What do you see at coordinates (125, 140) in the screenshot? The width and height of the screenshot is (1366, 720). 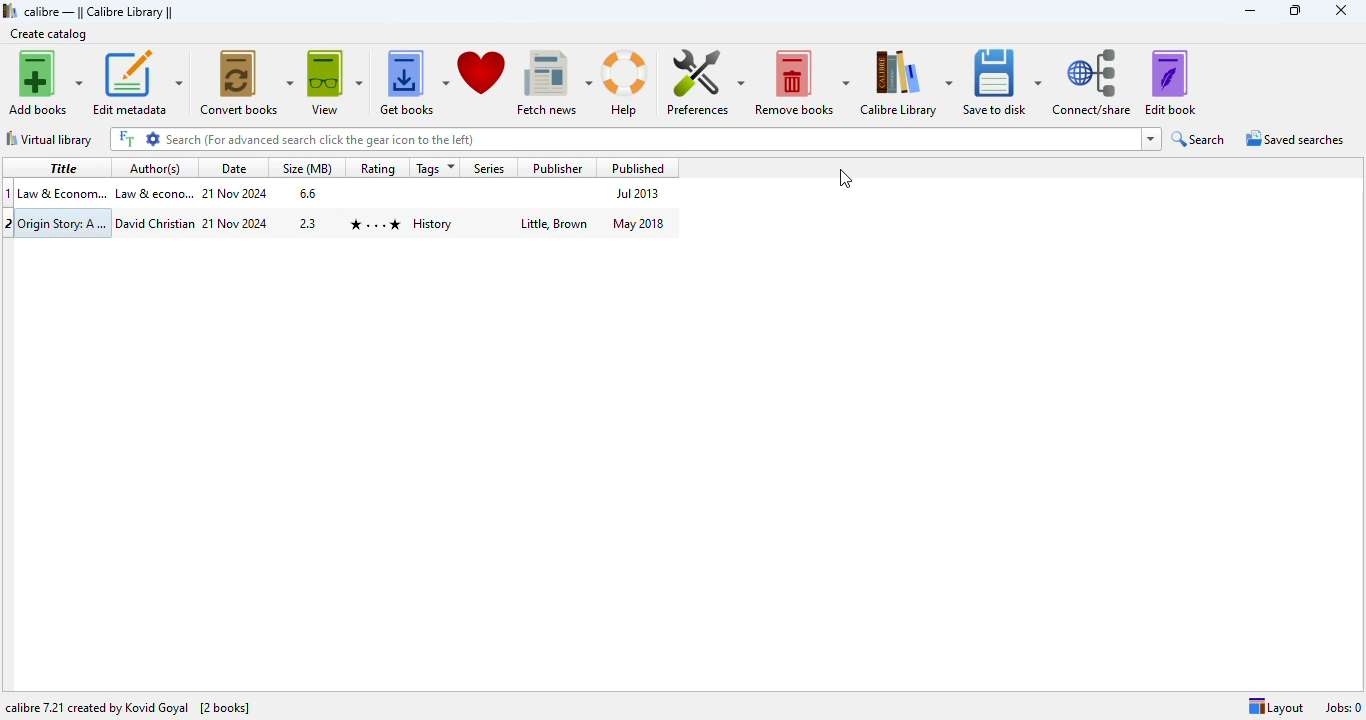 I see `full text search` at bounding box center [125, 140].